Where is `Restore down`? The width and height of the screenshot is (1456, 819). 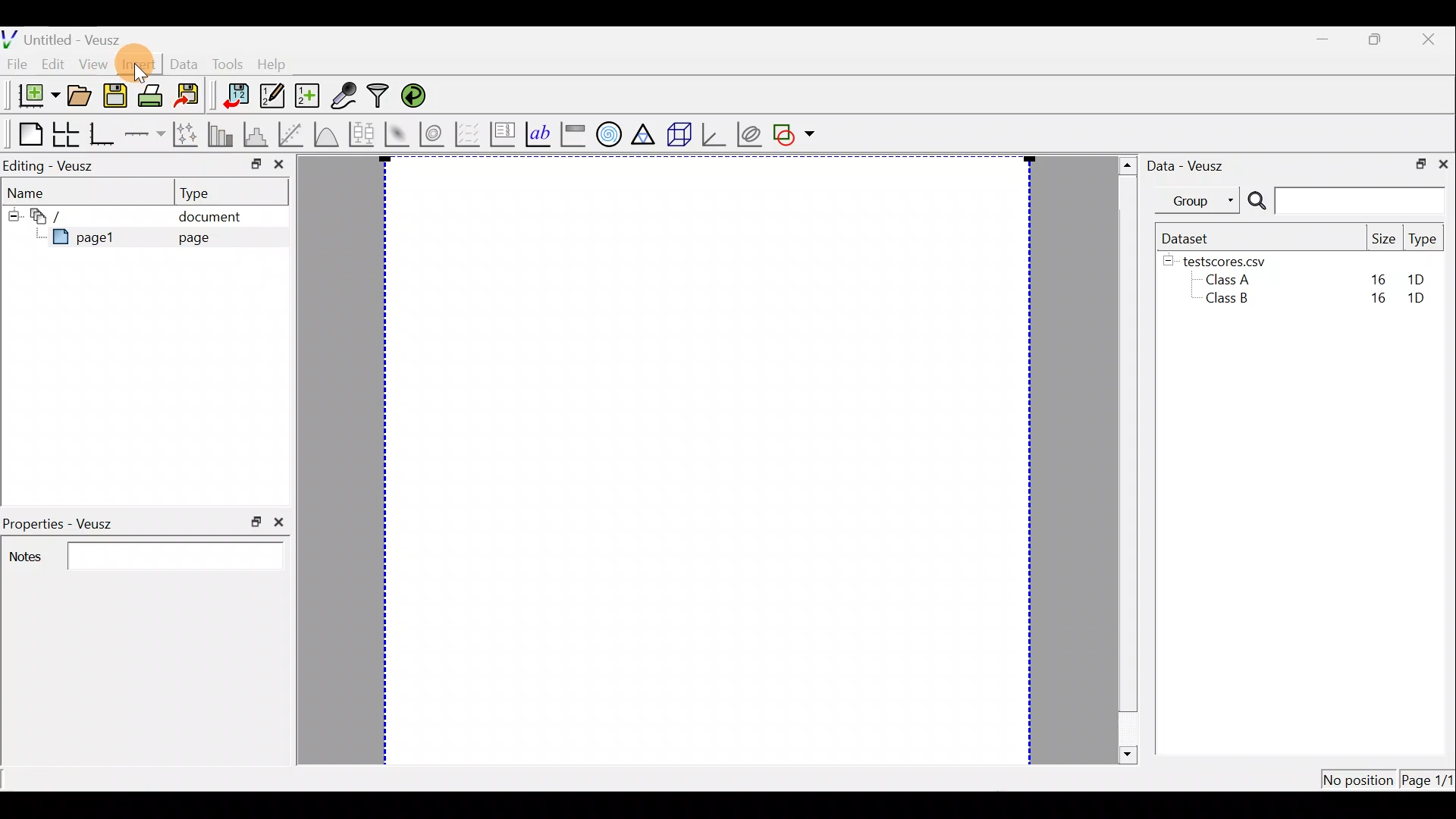
Restore down is located at coordinates (1379, 40).